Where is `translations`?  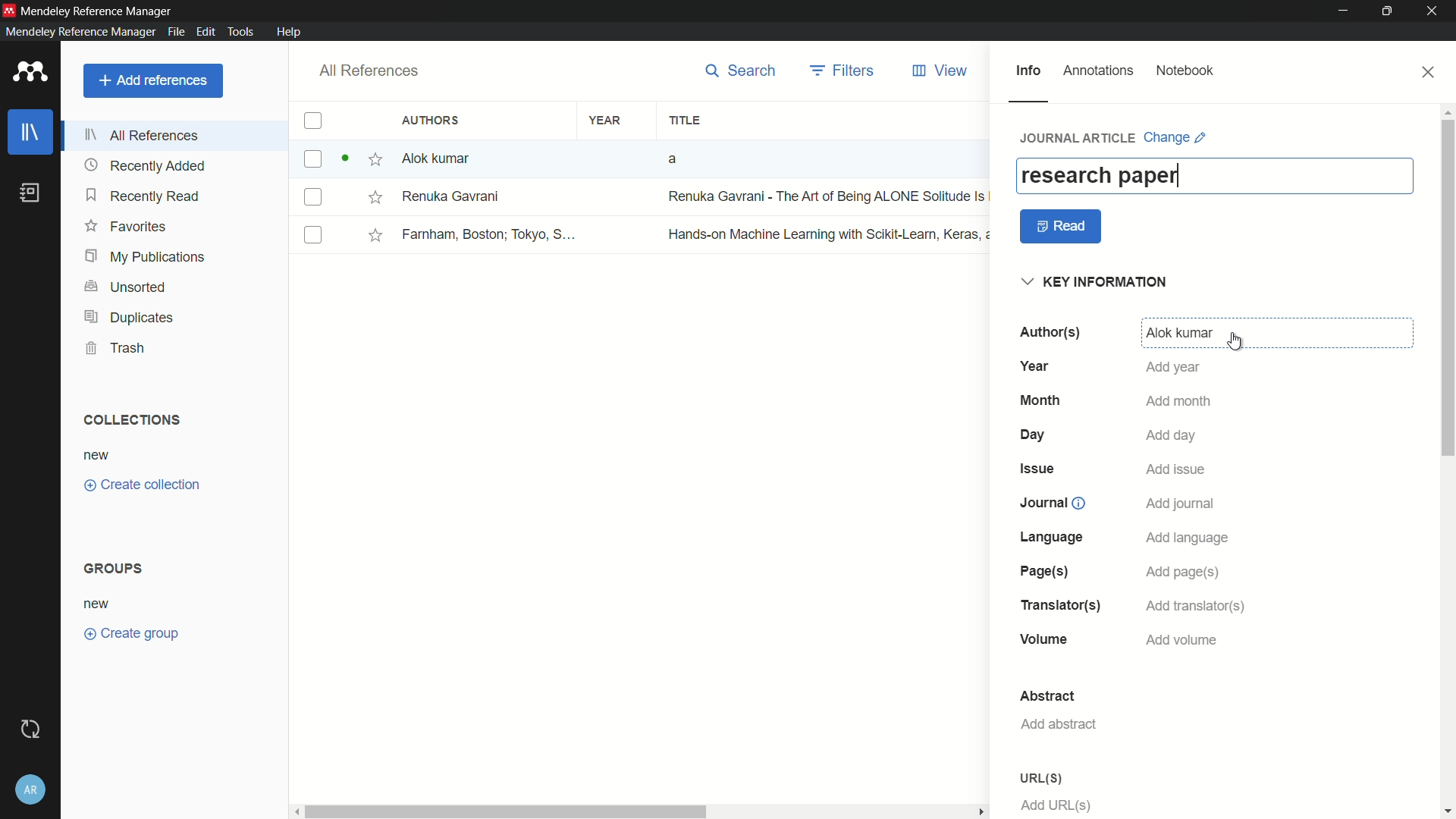
translations is located at coordinates (1059, 605).